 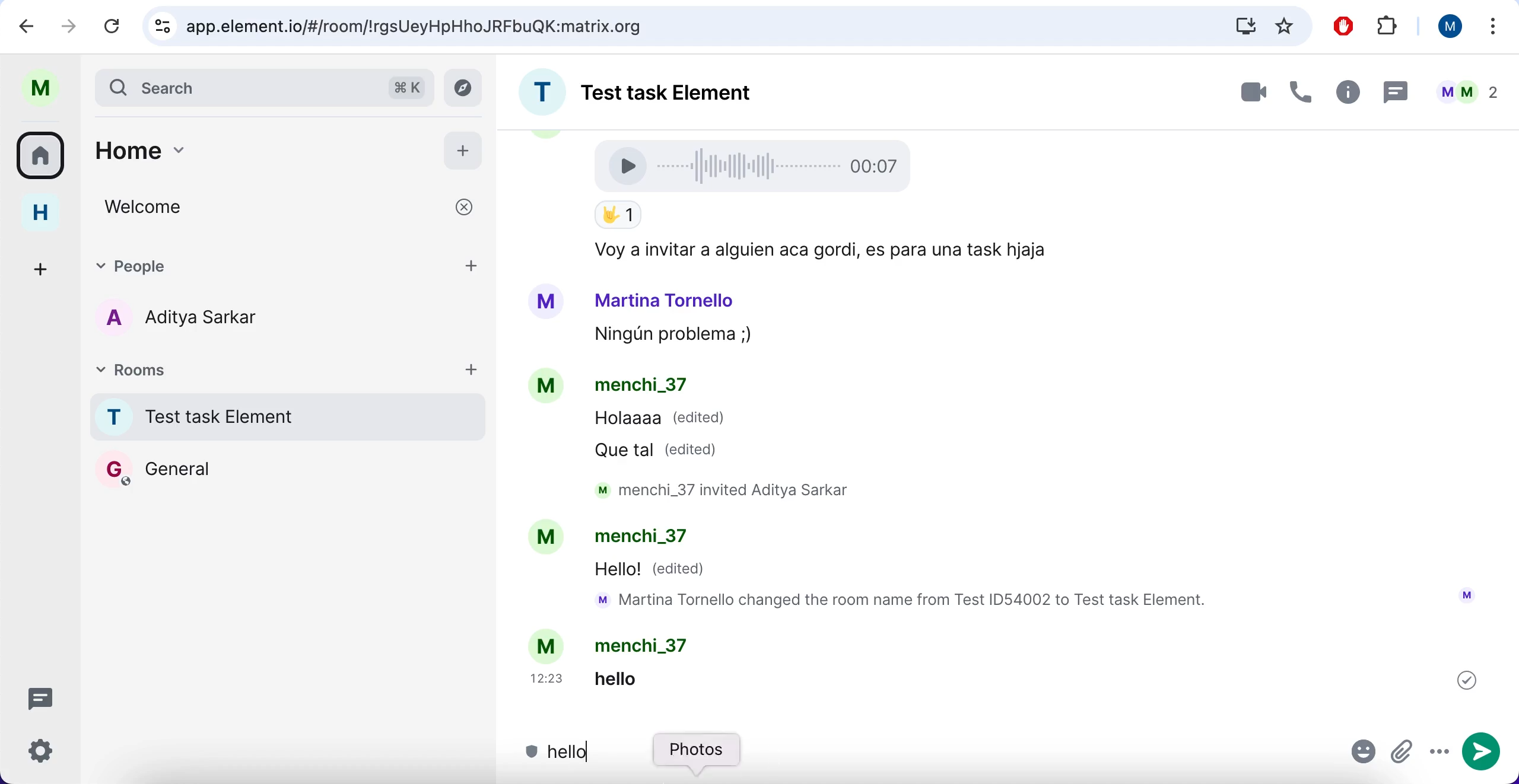 What do you see at coordinates (660, 421) in the screenshot?
I see `Holaaaa (edited)` at bounding box center [660, 421].